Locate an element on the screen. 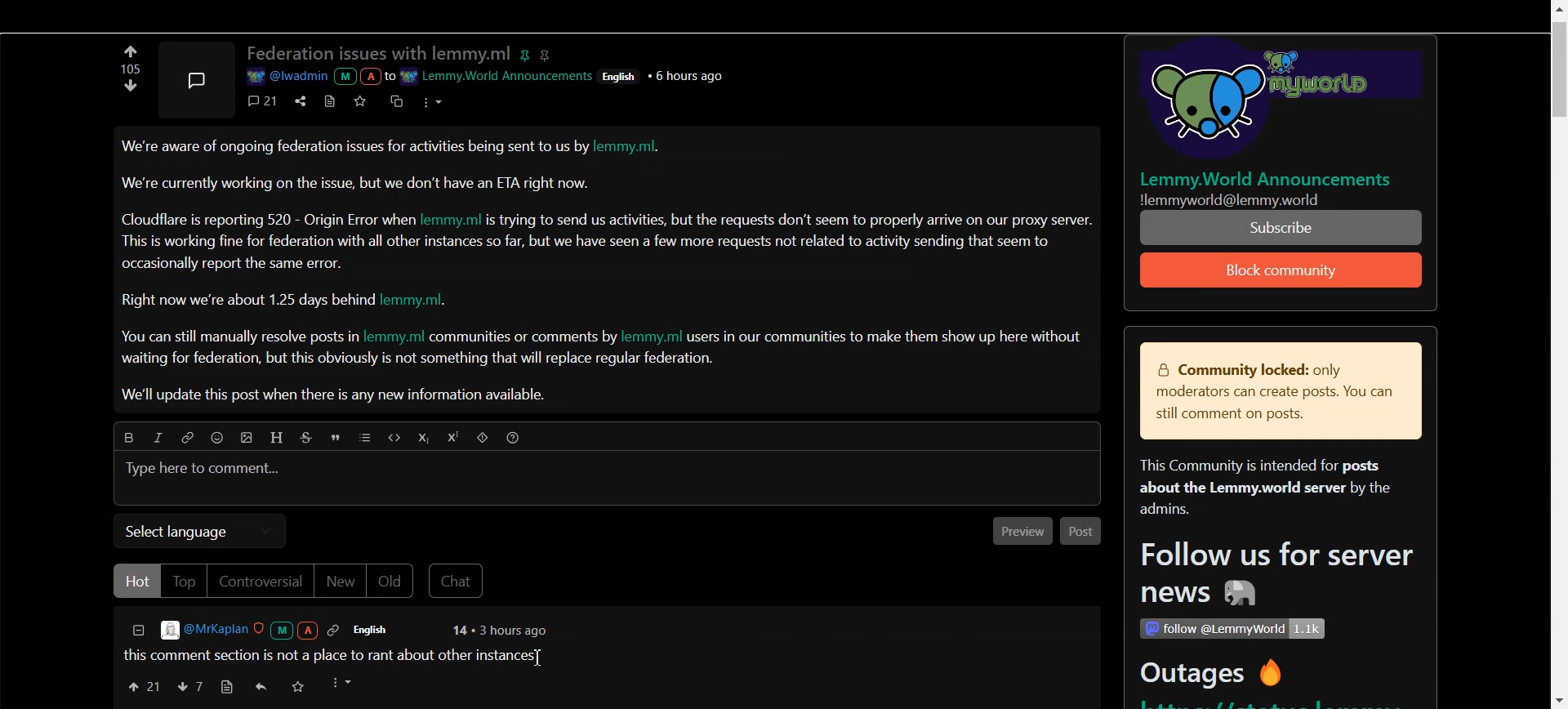 This screenshot has width=1568, height=709. Spoiler is located at coordinates (484, 439).